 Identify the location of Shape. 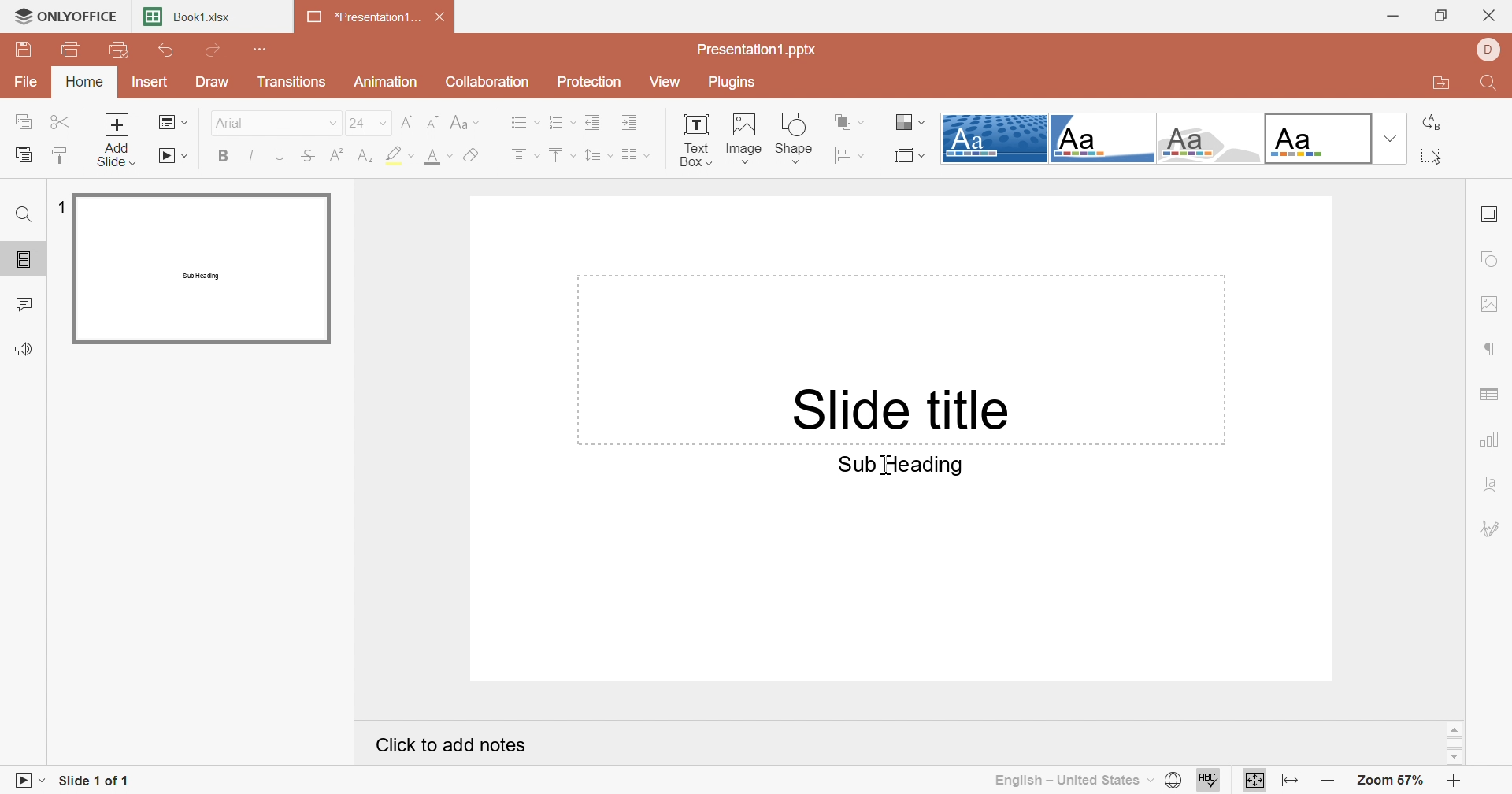
(796, 138).